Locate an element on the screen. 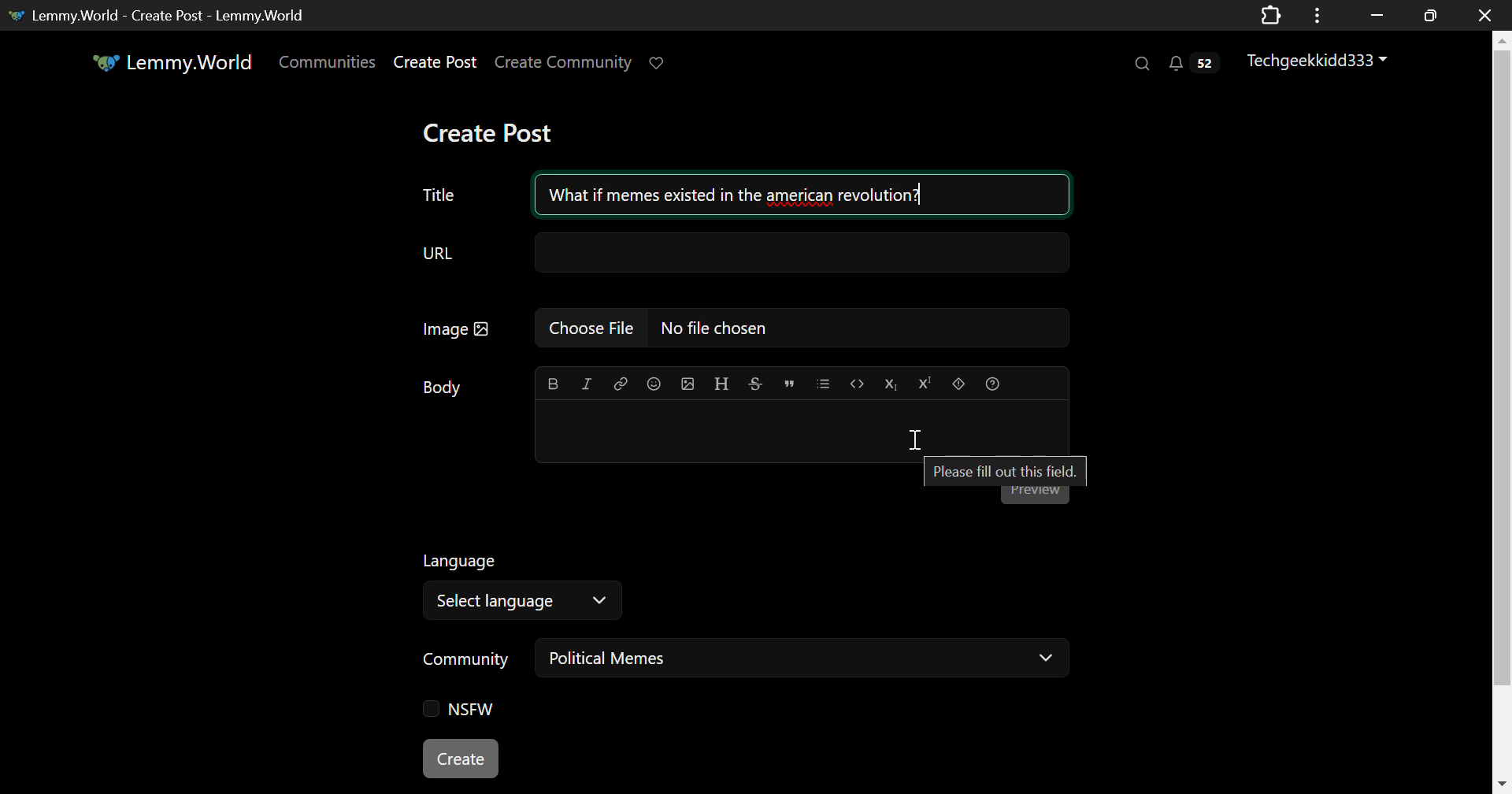  Strikethrough is located at coordinates (756, 384).